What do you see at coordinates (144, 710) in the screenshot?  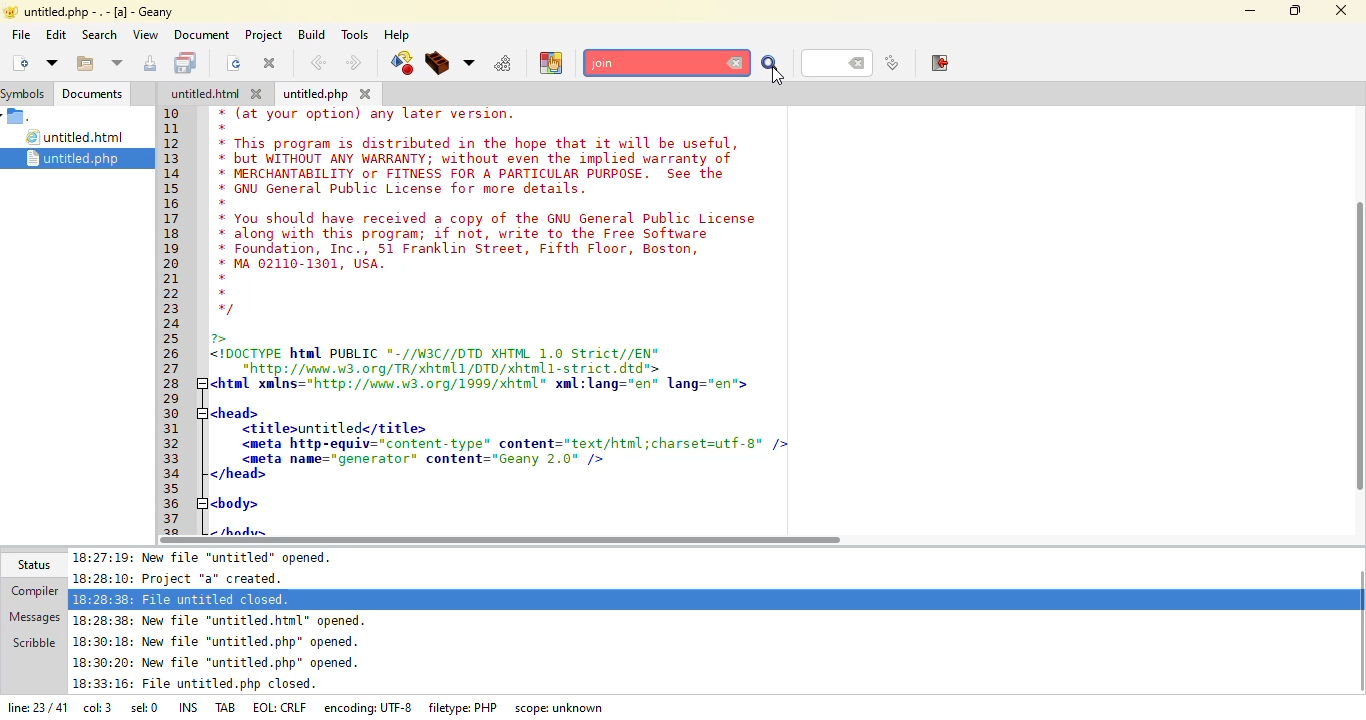 I see `sel:0` at bounding box center [144, 710].